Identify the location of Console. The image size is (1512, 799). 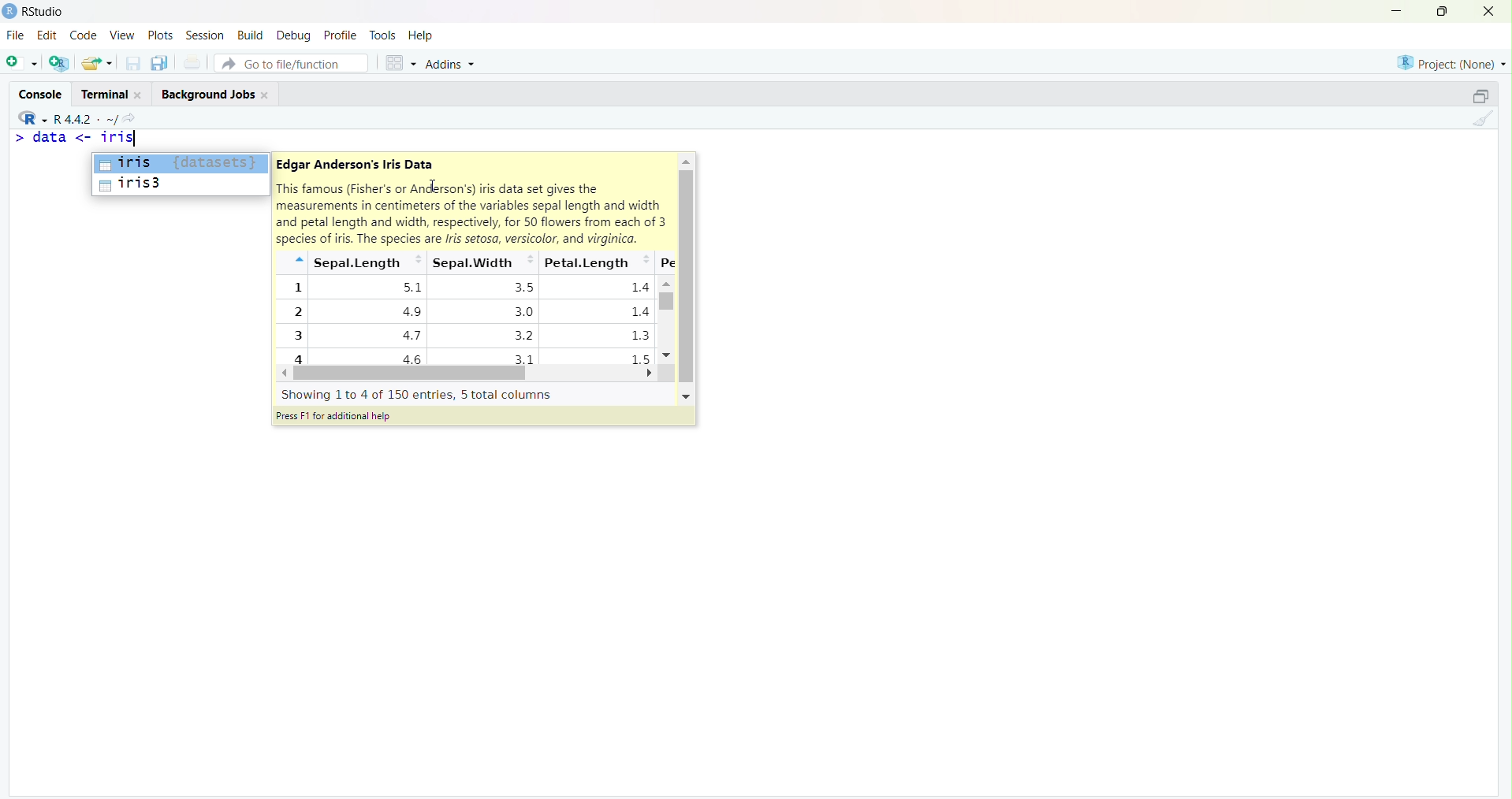
(43, 91).